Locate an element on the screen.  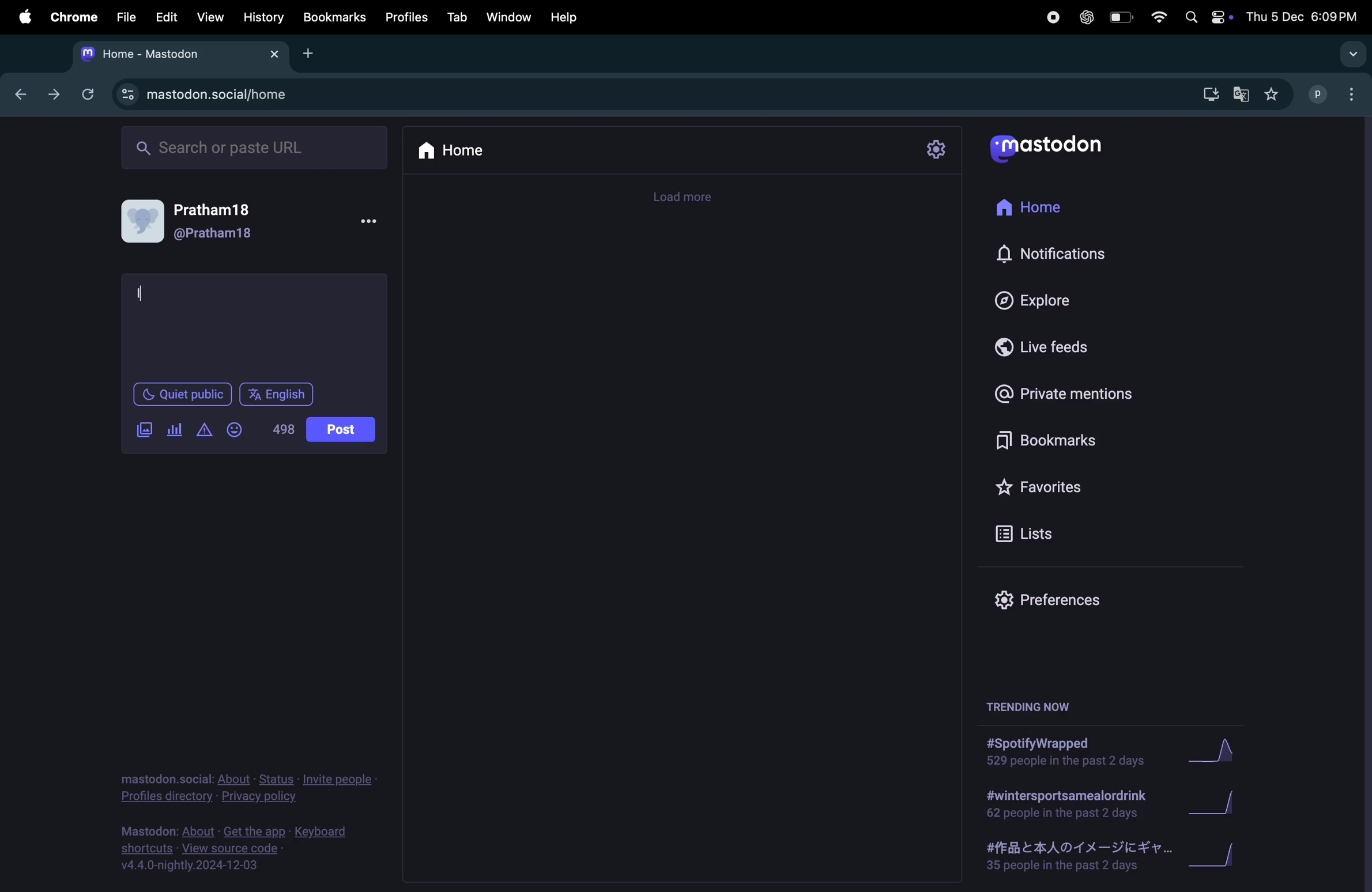
post is located at coordinates (344, 428).